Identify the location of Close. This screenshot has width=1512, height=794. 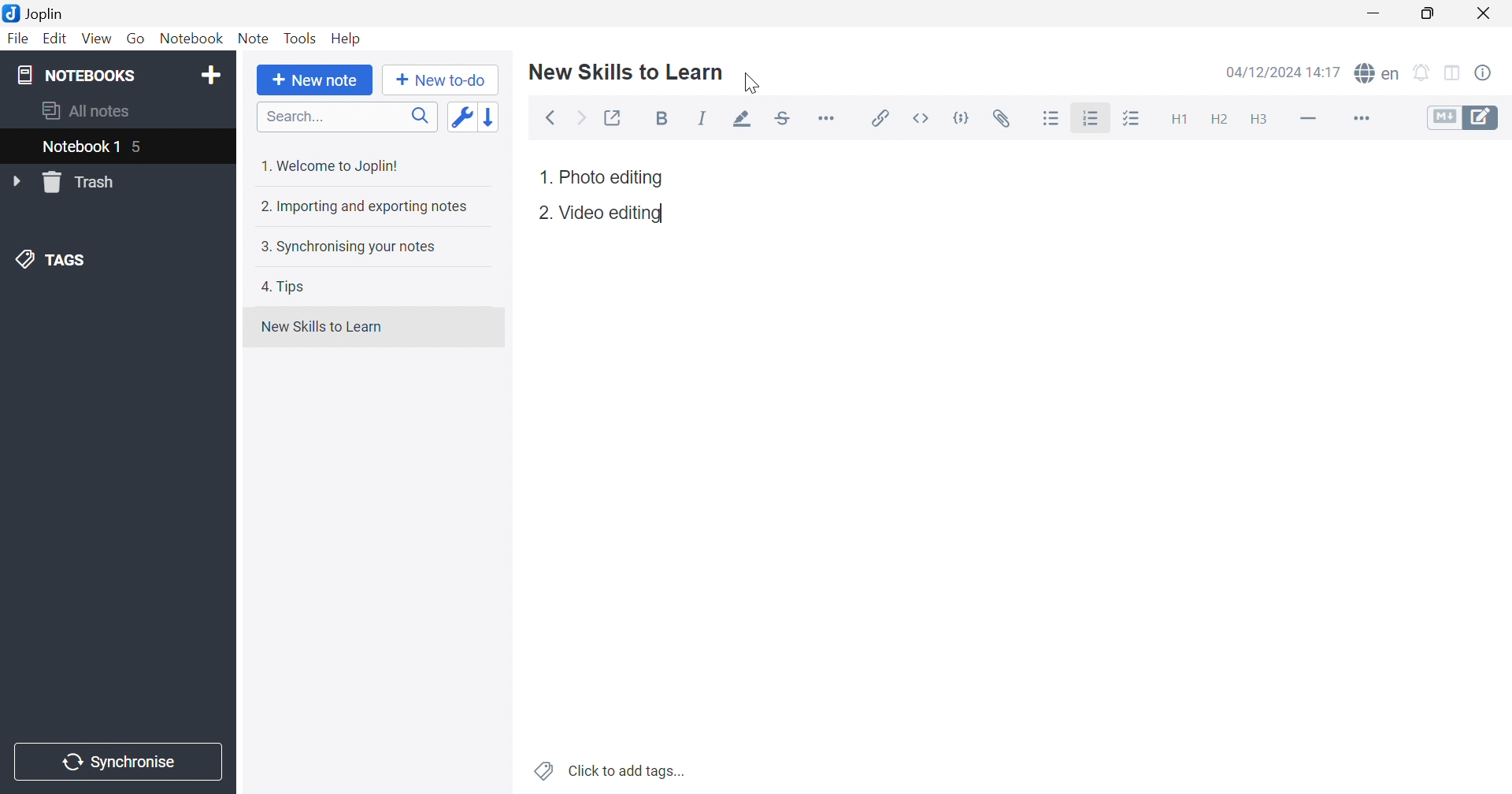
(1484, 14).